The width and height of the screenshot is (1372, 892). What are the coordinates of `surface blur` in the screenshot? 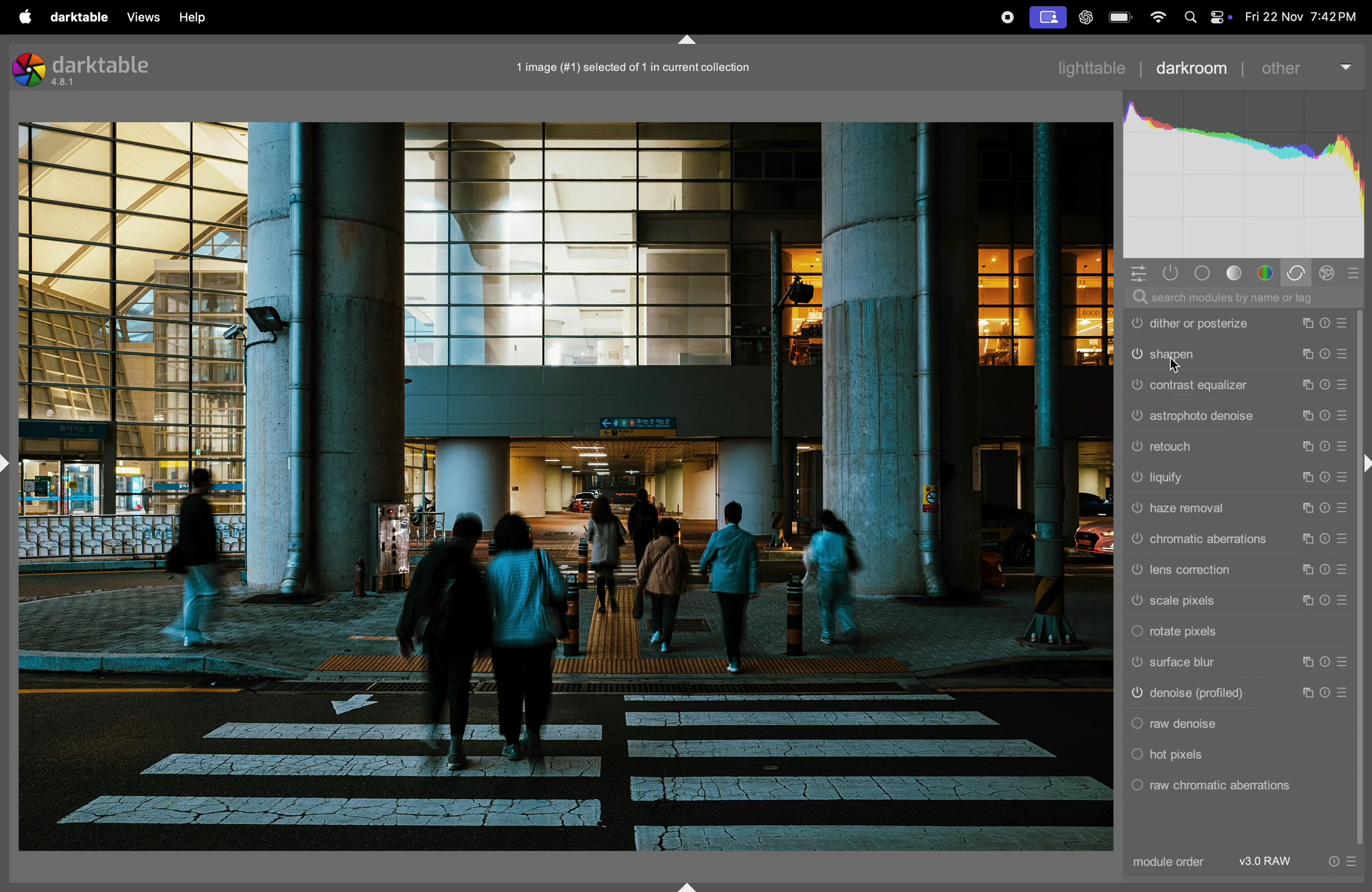 It's located at (1238, 663).